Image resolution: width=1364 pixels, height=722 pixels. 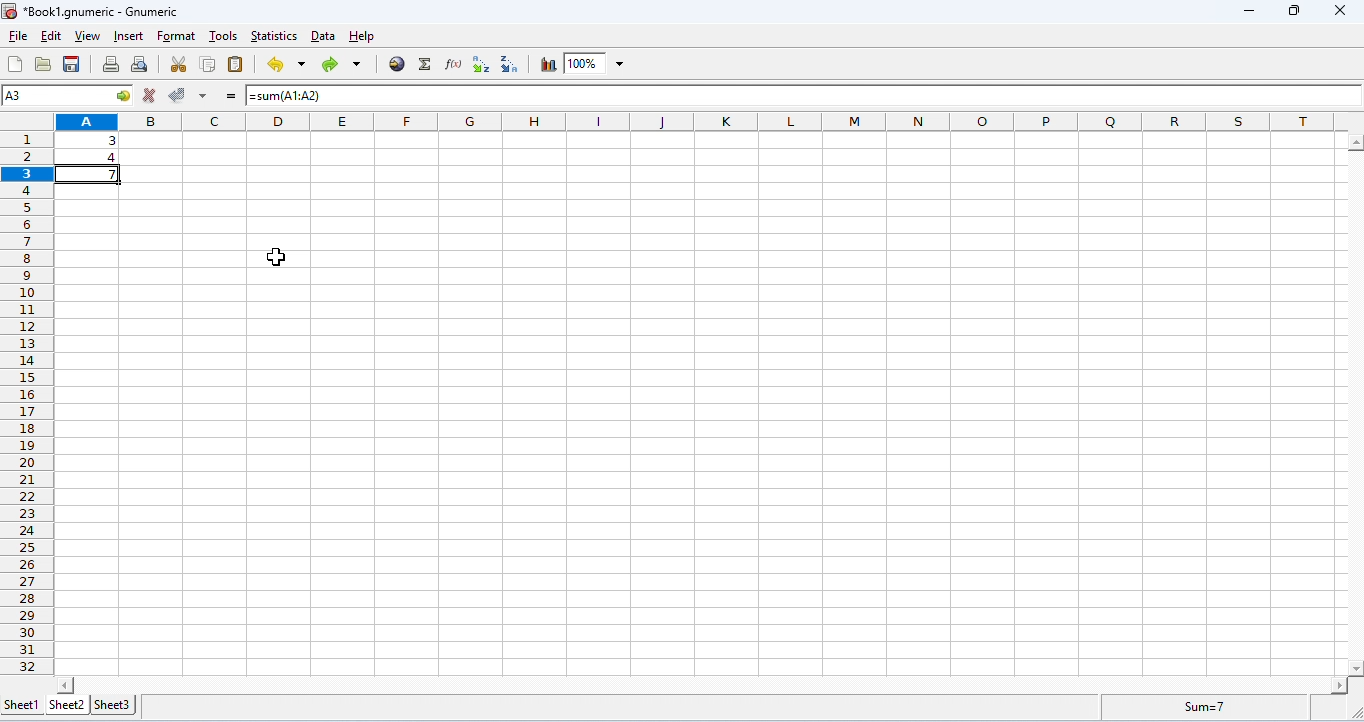 What do you see at coordinates (231, 99) in the screenshot?
I see `=` at bounding box center [231, 99].